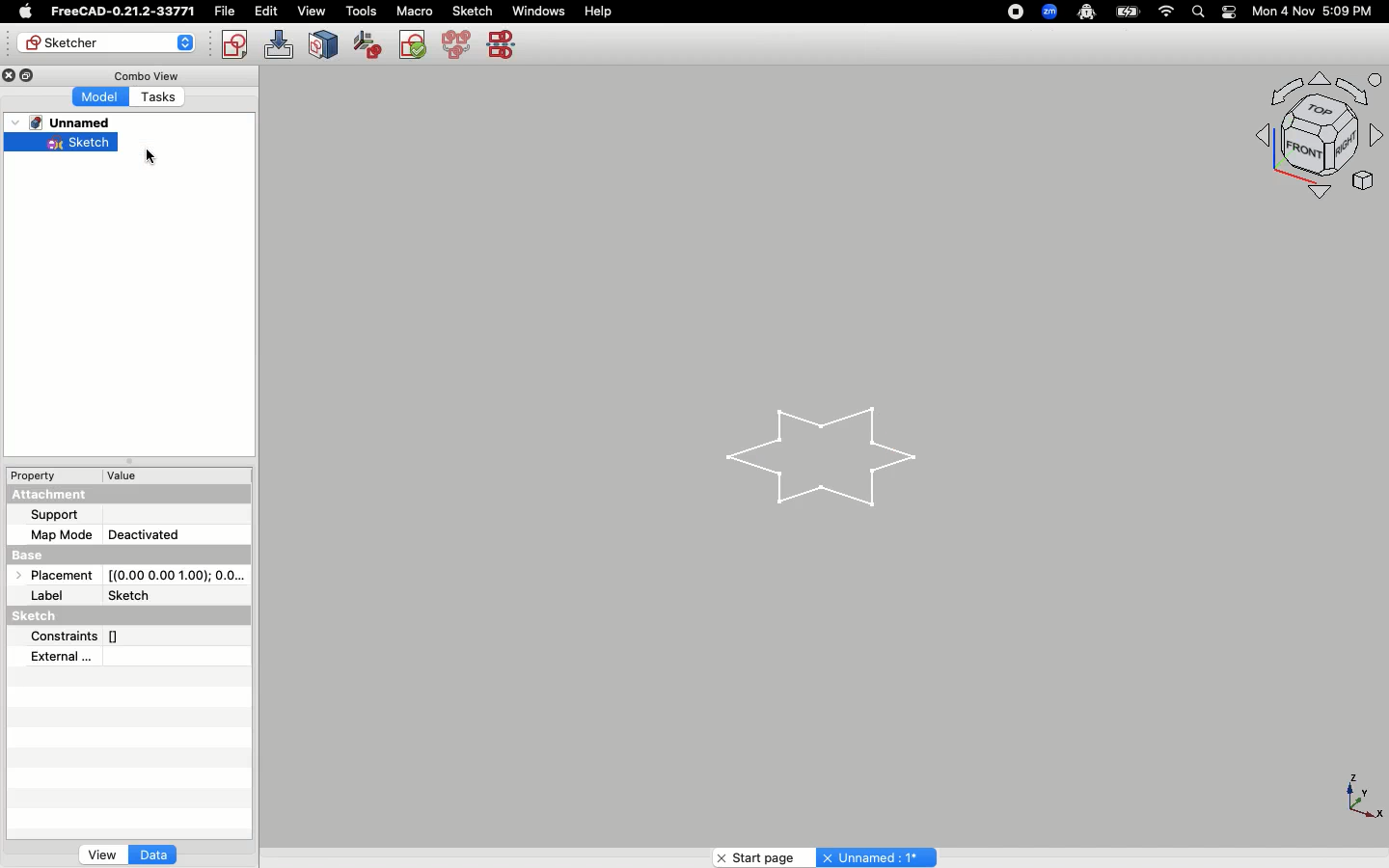 Image resolution: width=1389 pixels, height=868 pixels. I want to click on Cursor, so click(153, 155).